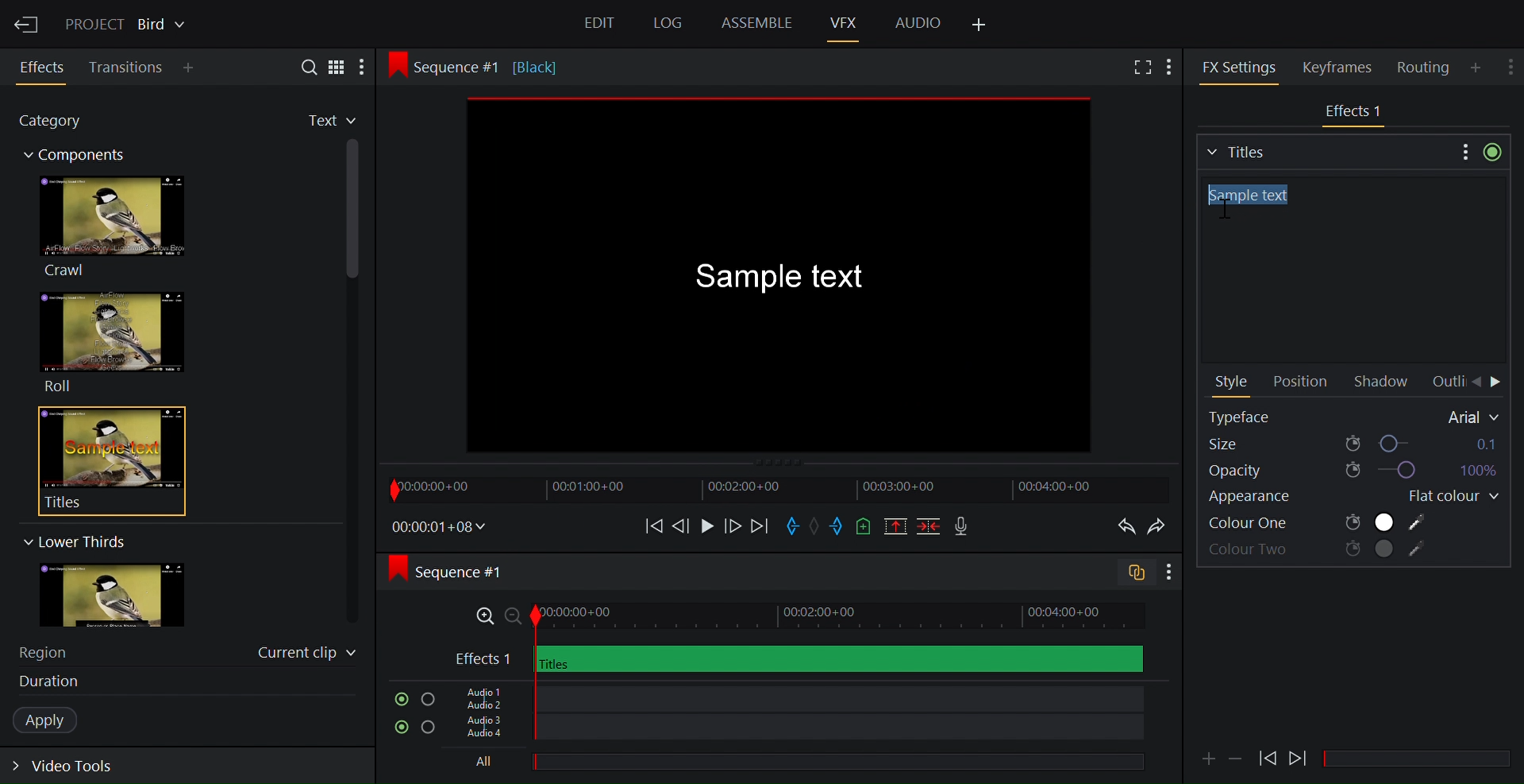  I want to click on Typeface, so click(1355, 417).